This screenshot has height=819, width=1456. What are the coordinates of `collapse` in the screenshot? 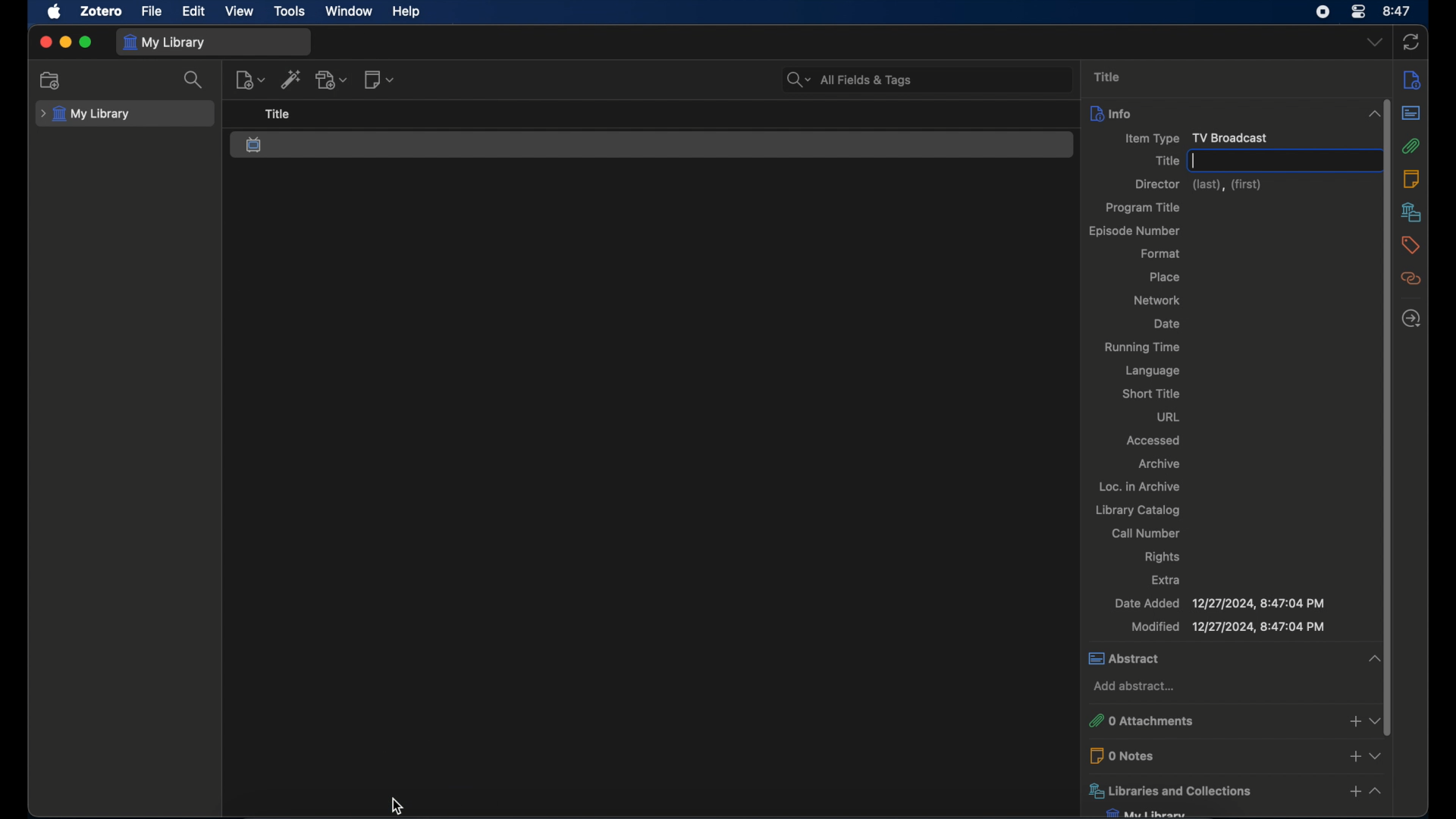 It's located at (1376, 659).